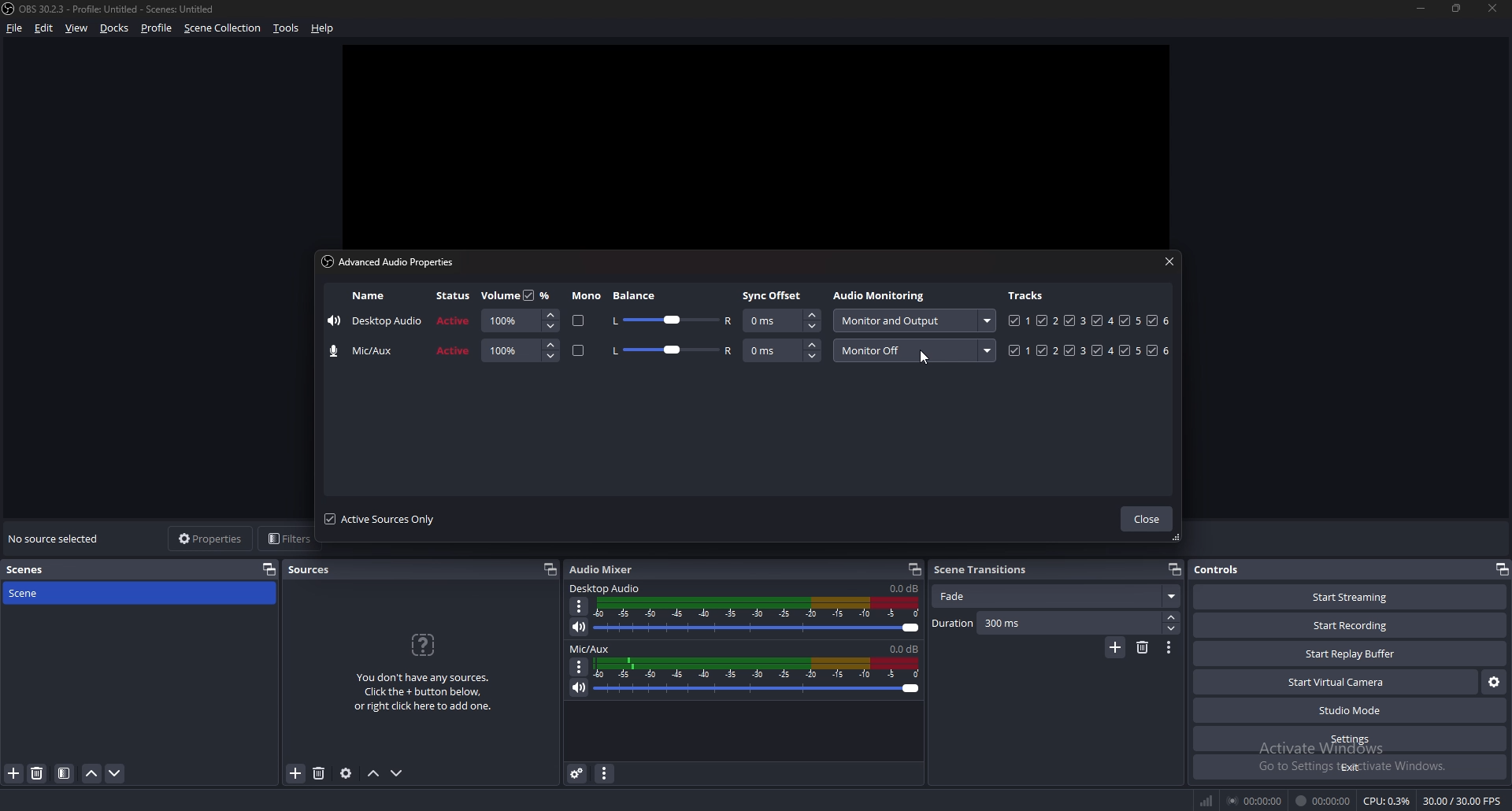 Image resolution: width=1512 pixels, height=811 pixels. I want to click on no source selected, so click(57, 538).